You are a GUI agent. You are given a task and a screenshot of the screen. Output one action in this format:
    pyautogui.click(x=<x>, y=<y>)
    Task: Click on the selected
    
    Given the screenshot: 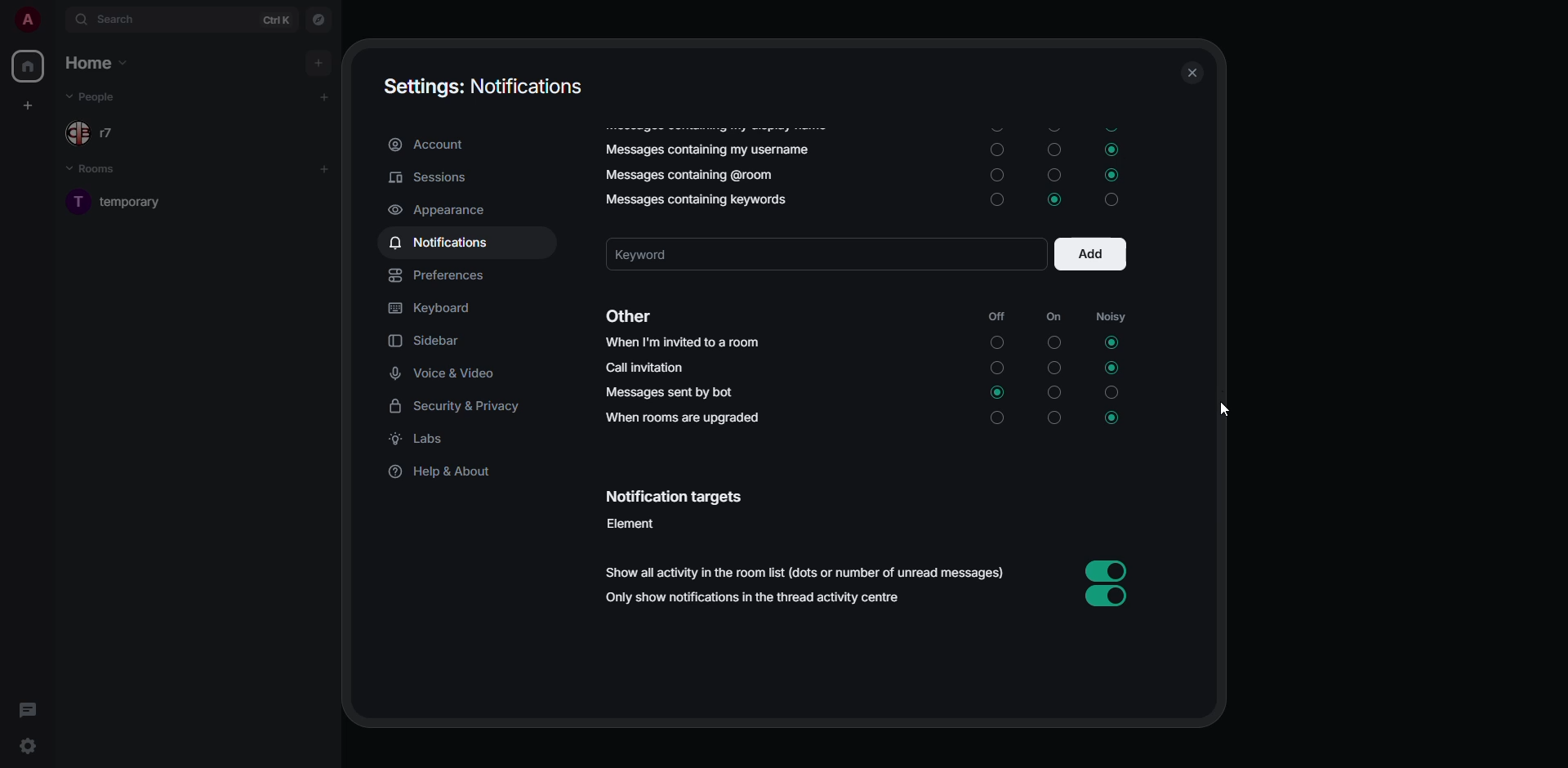 What is the action you would take?
    pyautogui.click(x=1115, y=175)
    